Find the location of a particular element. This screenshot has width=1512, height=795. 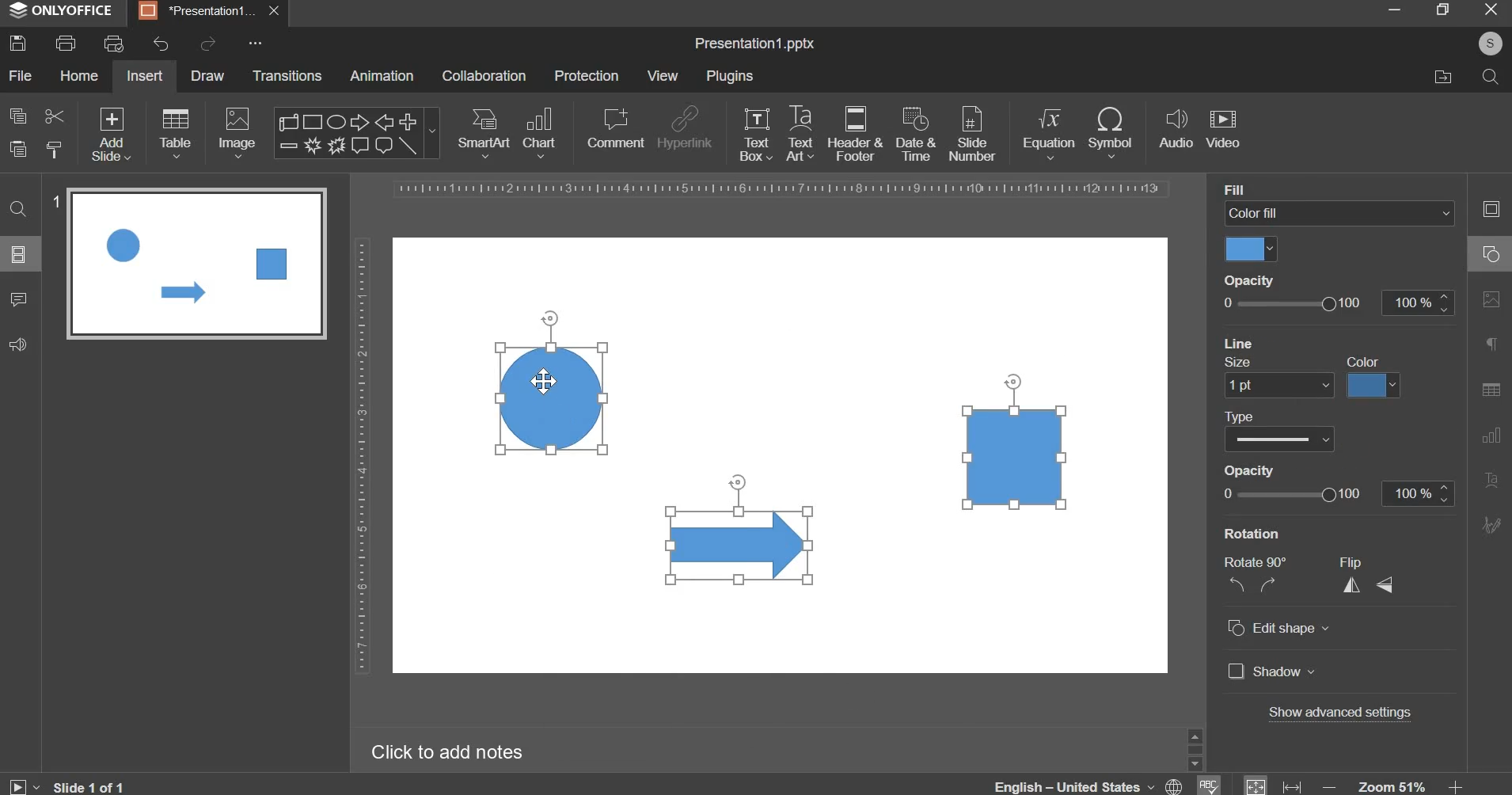

color is located at coordinates (1368, 360).